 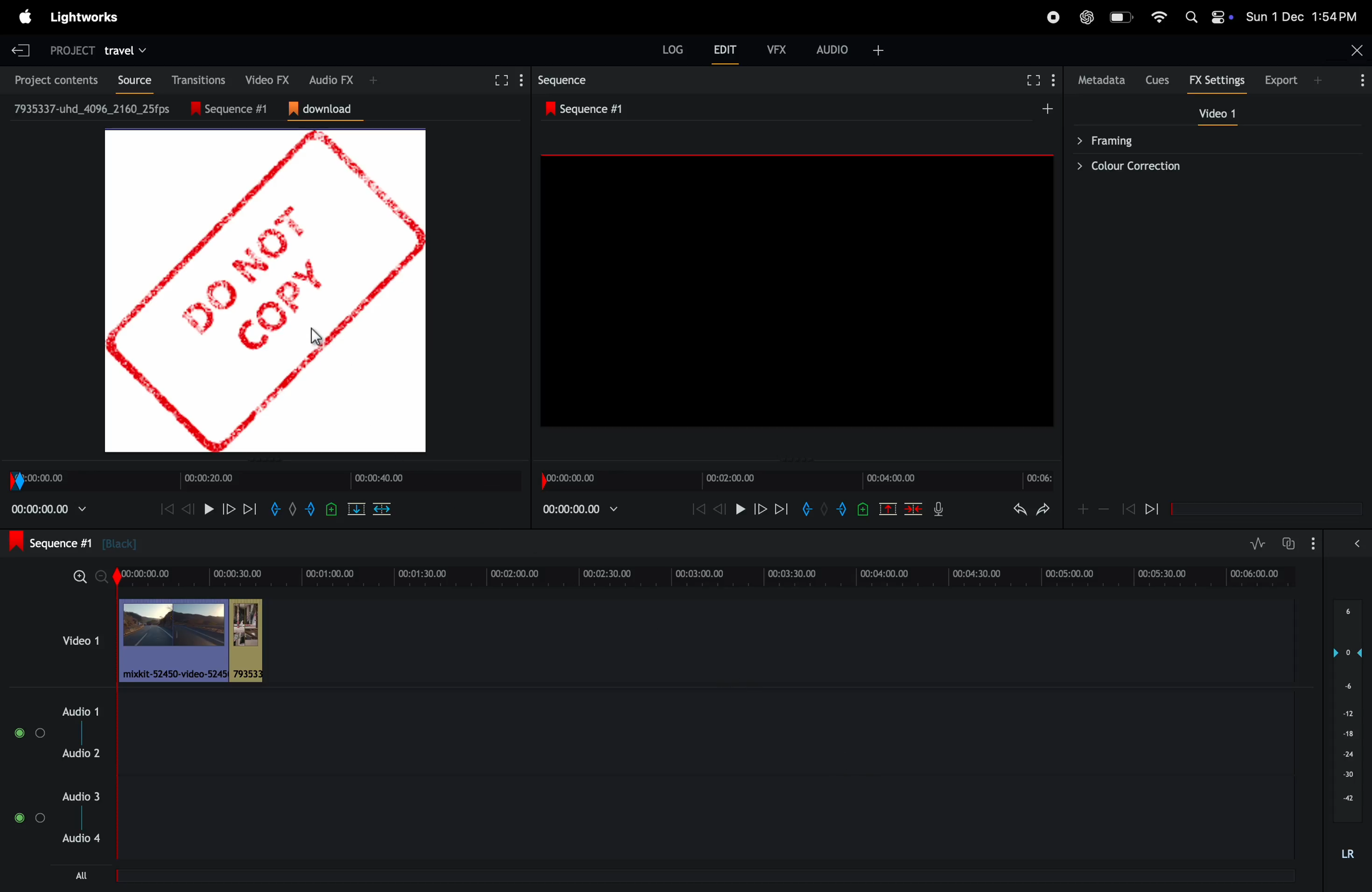 What do you see at coordinates (72, 52) in the screenshot?
I see `project` at bounding box center [72, 52].